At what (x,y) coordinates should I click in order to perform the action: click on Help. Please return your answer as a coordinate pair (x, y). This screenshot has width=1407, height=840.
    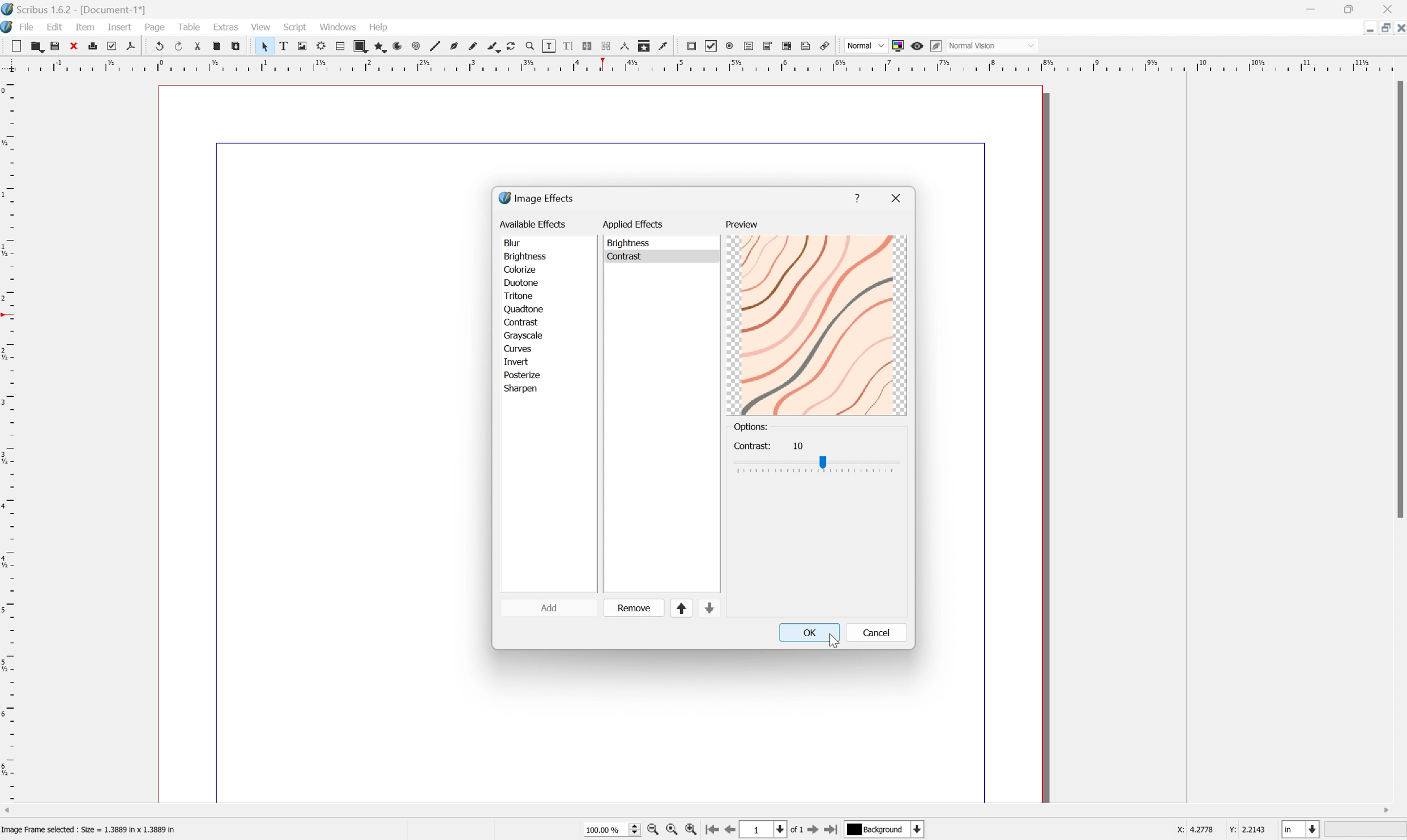
    Looking at the image, I should click on (378, 27).